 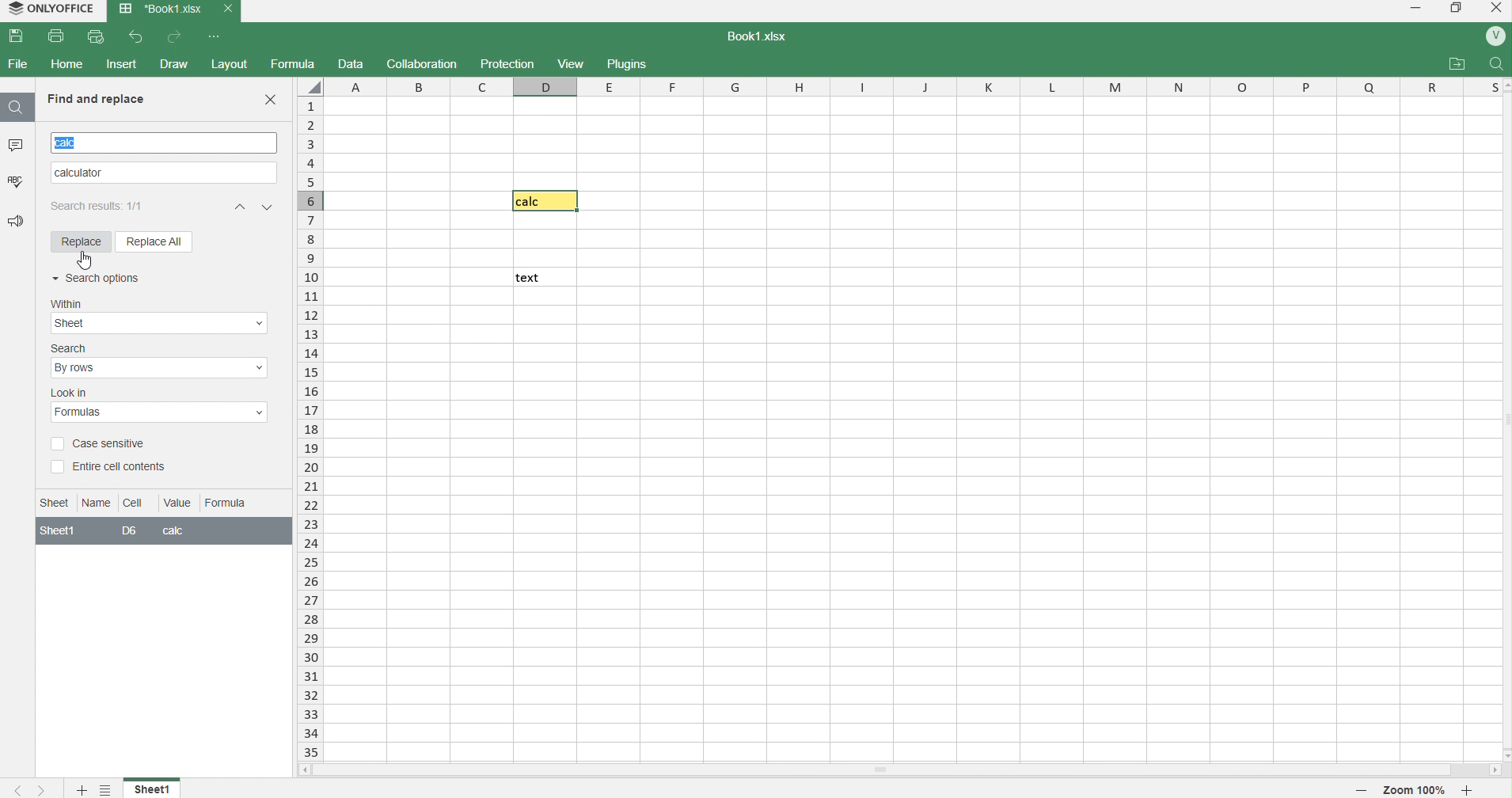 What do you see at coordinates (352, 65) in the screenshot?
I see `data` at bounding box center [352, 65].